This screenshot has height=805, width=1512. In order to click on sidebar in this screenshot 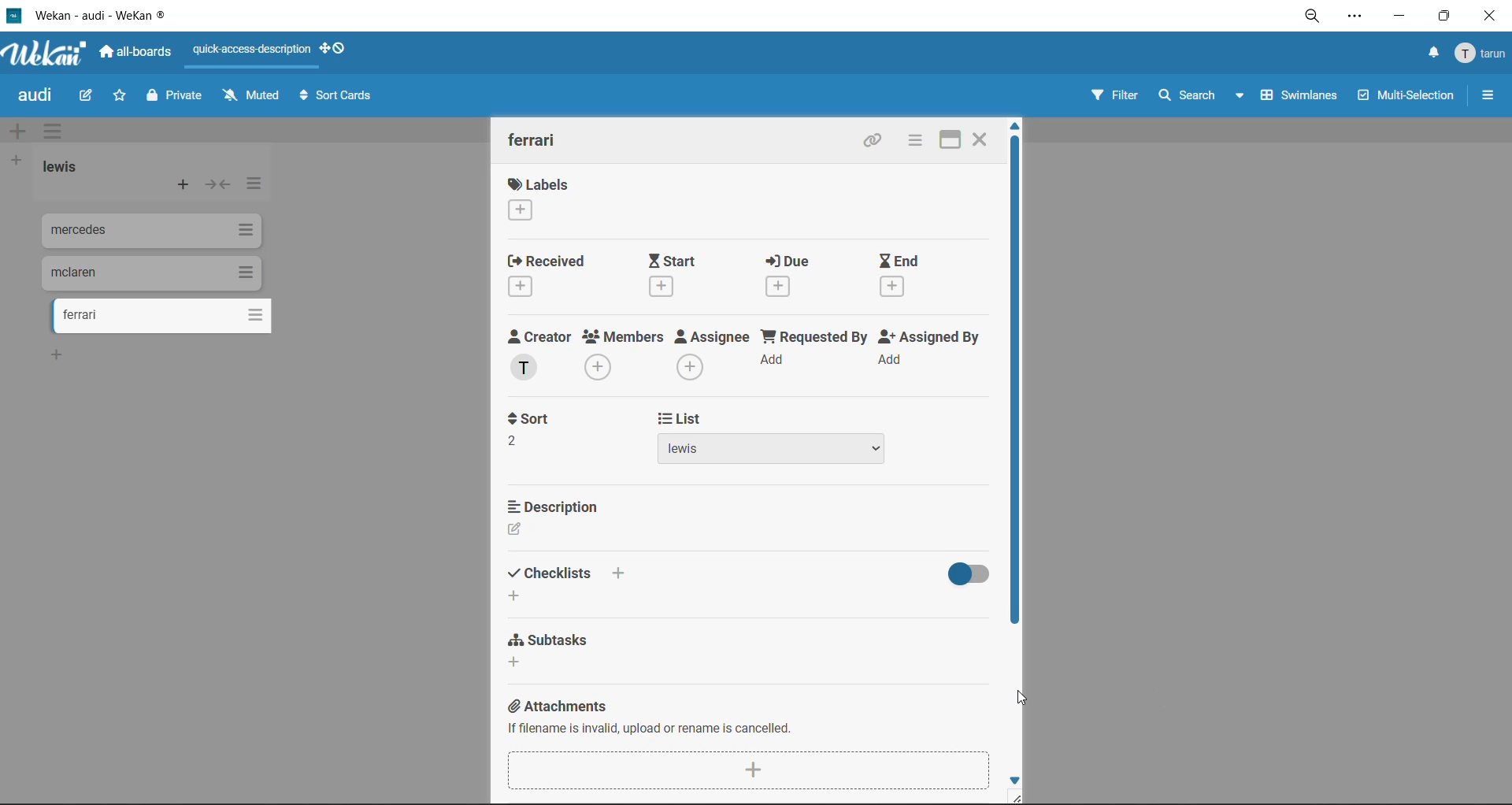, I will do `click(1486, 95)`.